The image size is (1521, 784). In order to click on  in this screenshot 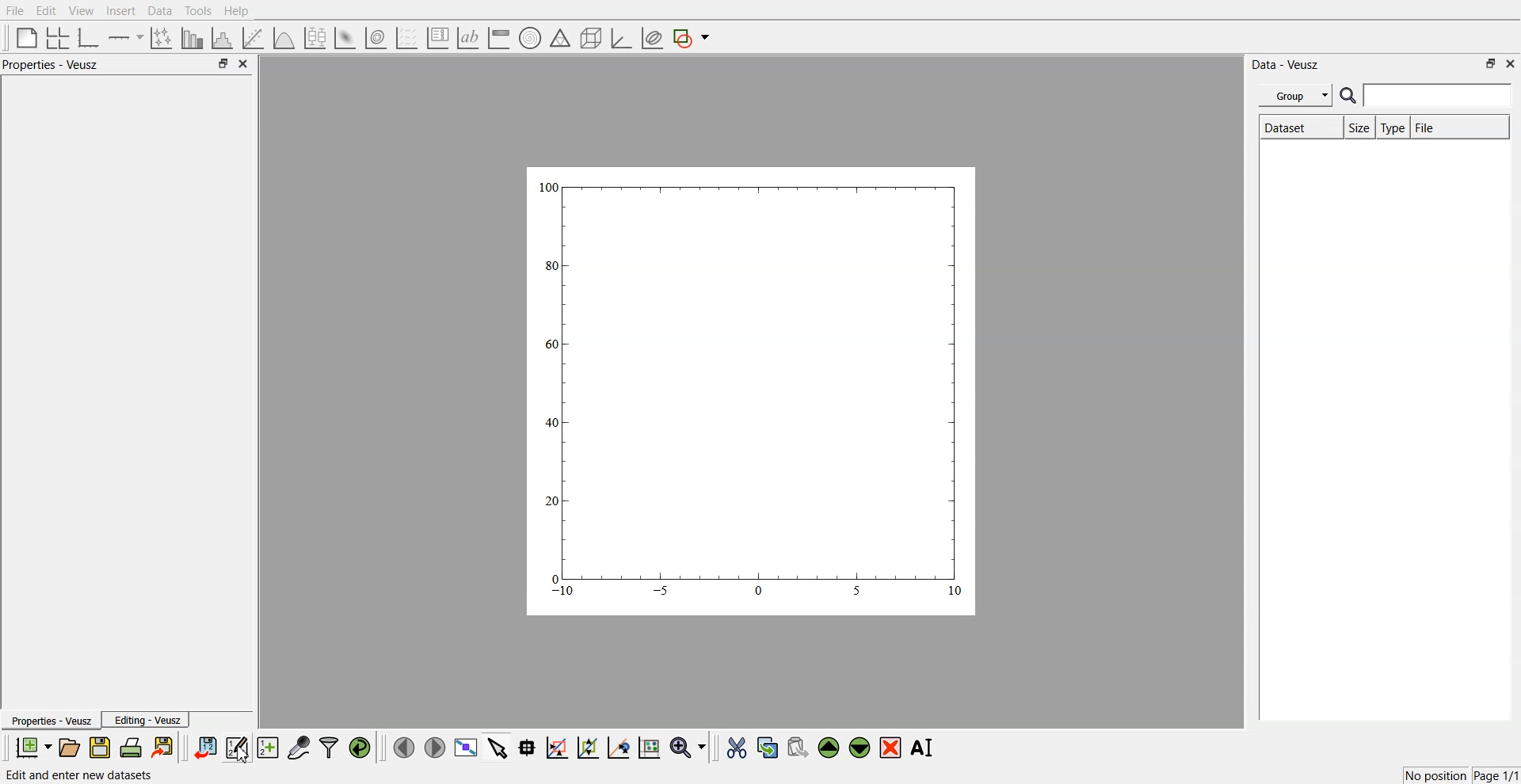, I will do `click(1295, 96)`.